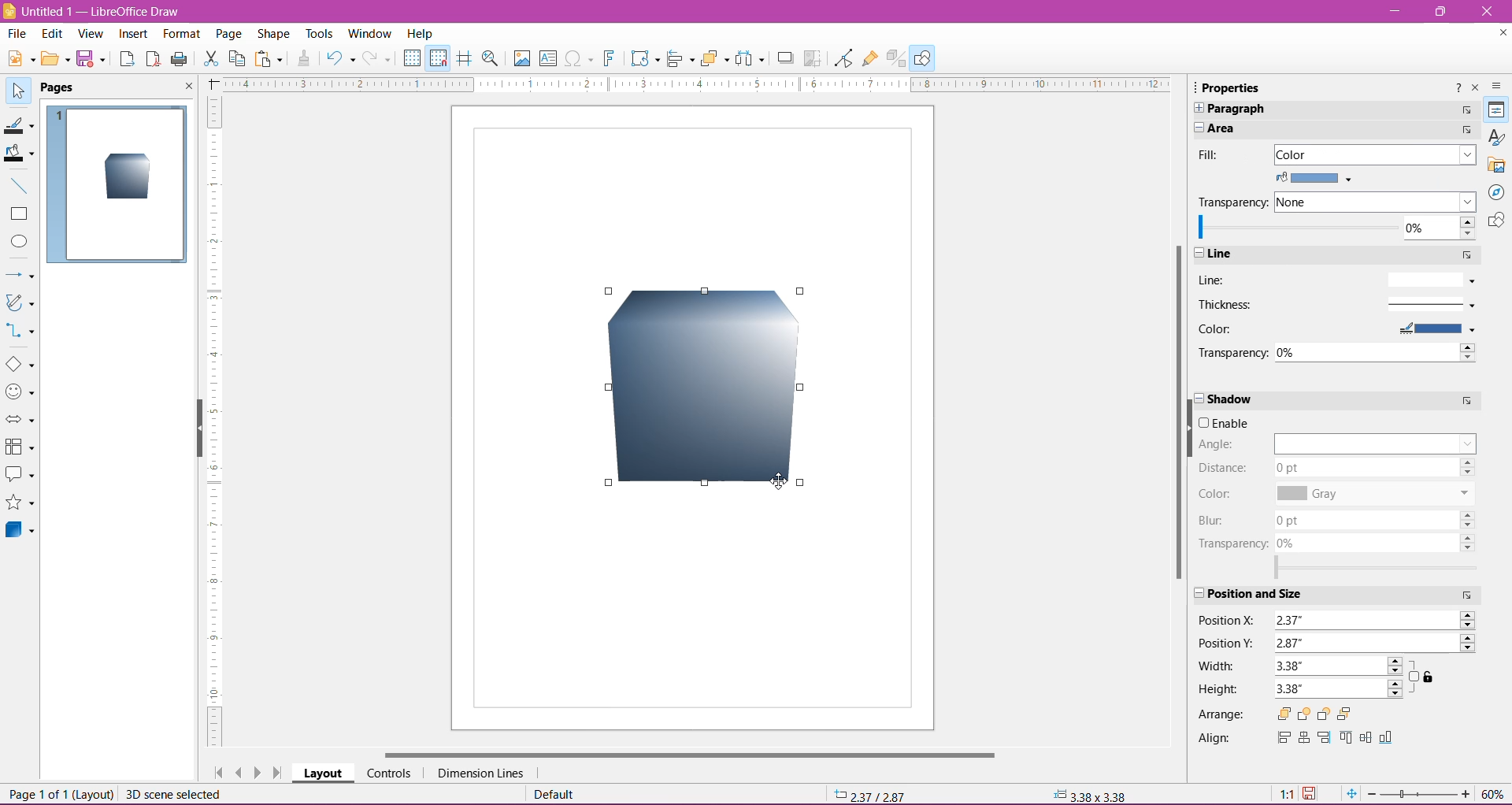  What do you see at coordinates (1435, 329) in the screenshot?
I see `Select Line Color` at bounding box center [1435, 329].